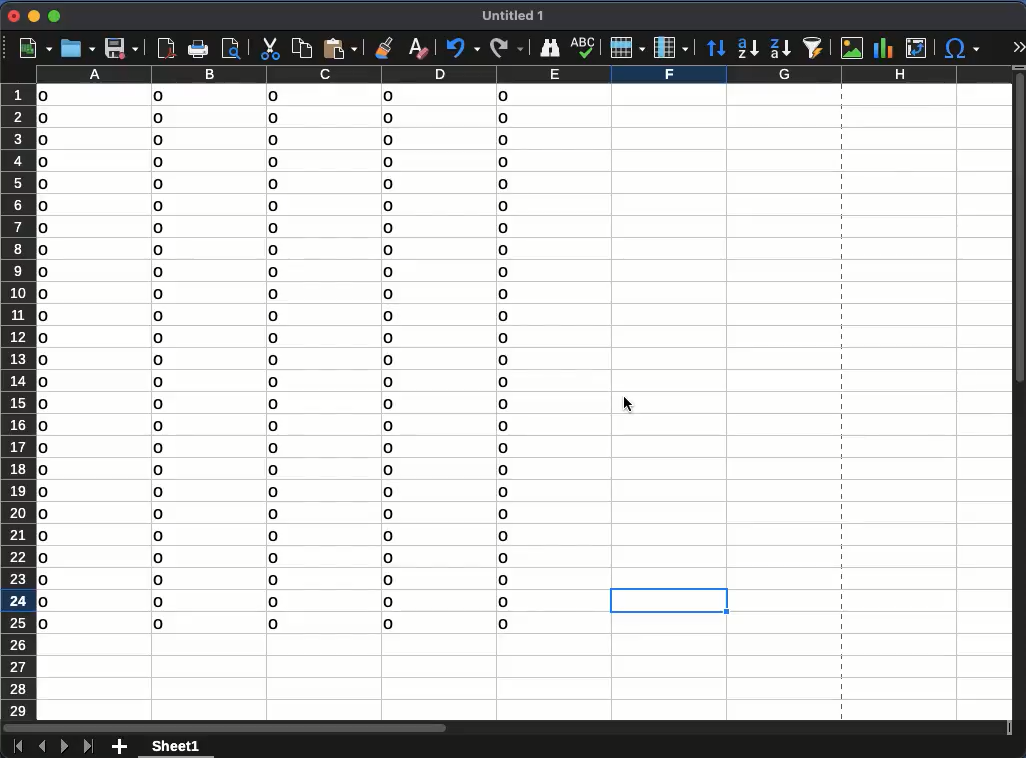 The height and width of the screenshot is (758, 1026). I want to click on open, so click(77, 48).